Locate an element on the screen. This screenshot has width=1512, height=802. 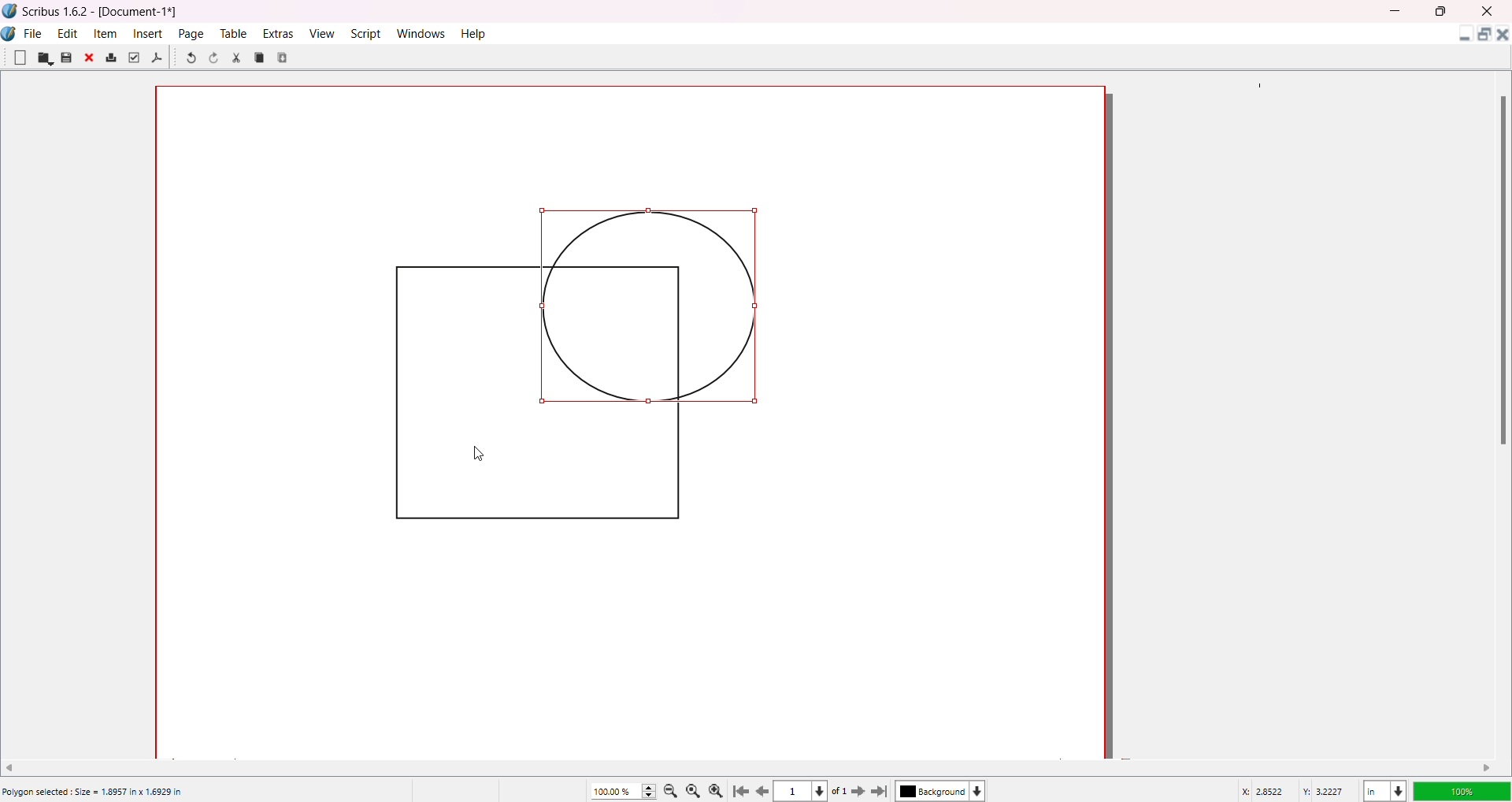
Zoom out is located at coordinates (673, 790).